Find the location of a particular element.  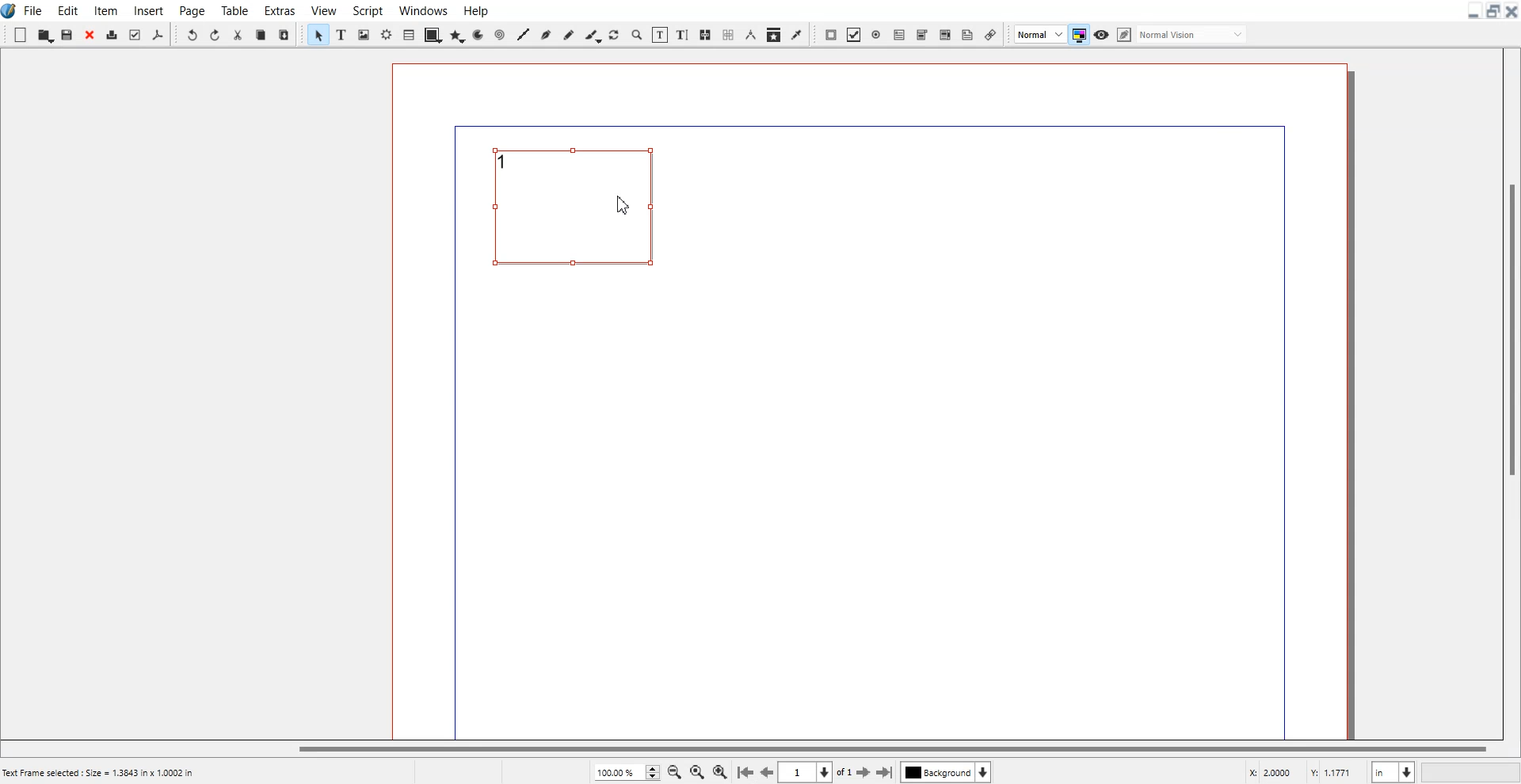

Measurement is located at coordinates (750, 35).